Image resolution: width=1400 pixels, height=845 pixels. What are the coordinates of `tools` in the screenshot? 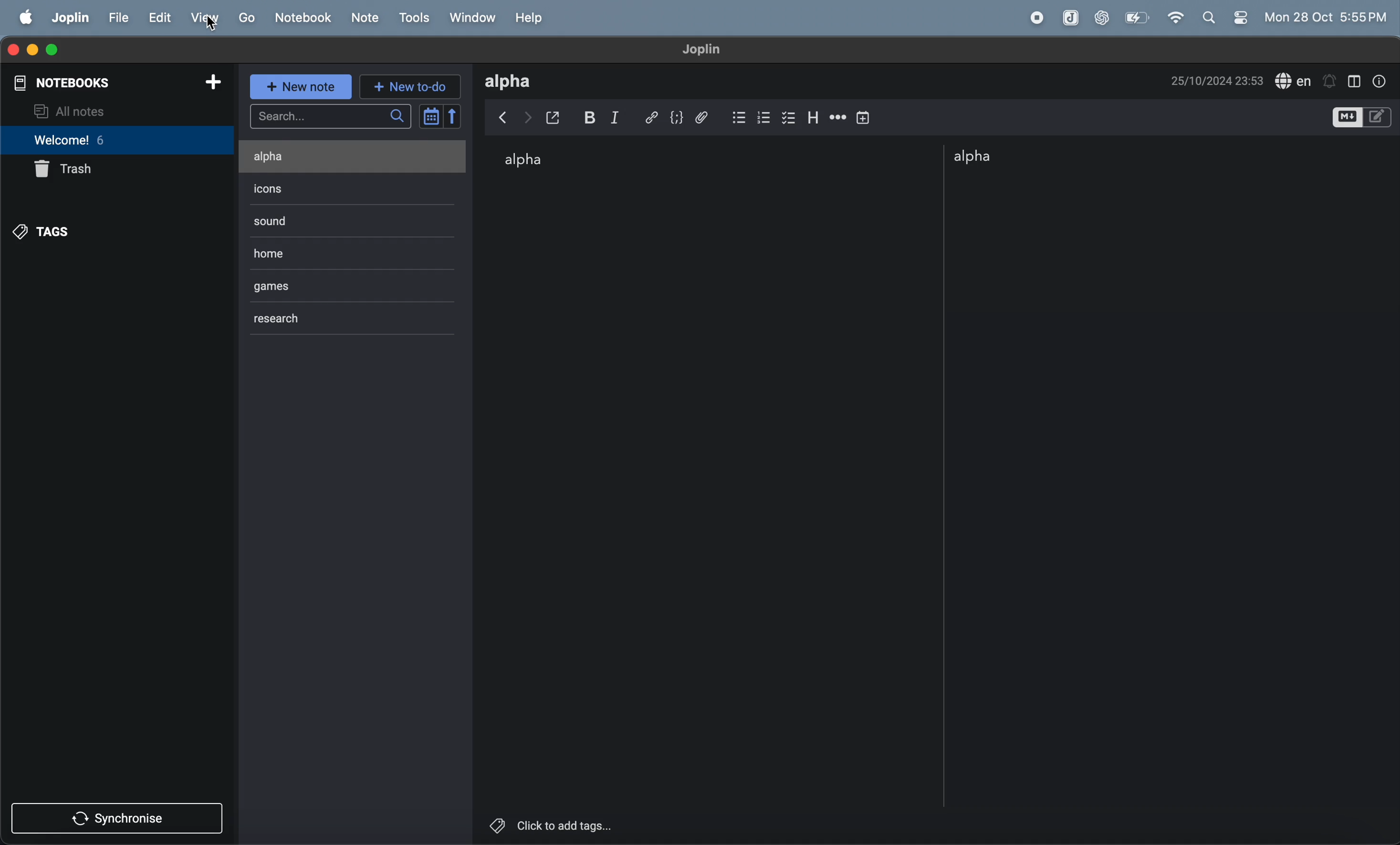 It's located at (418, 18).